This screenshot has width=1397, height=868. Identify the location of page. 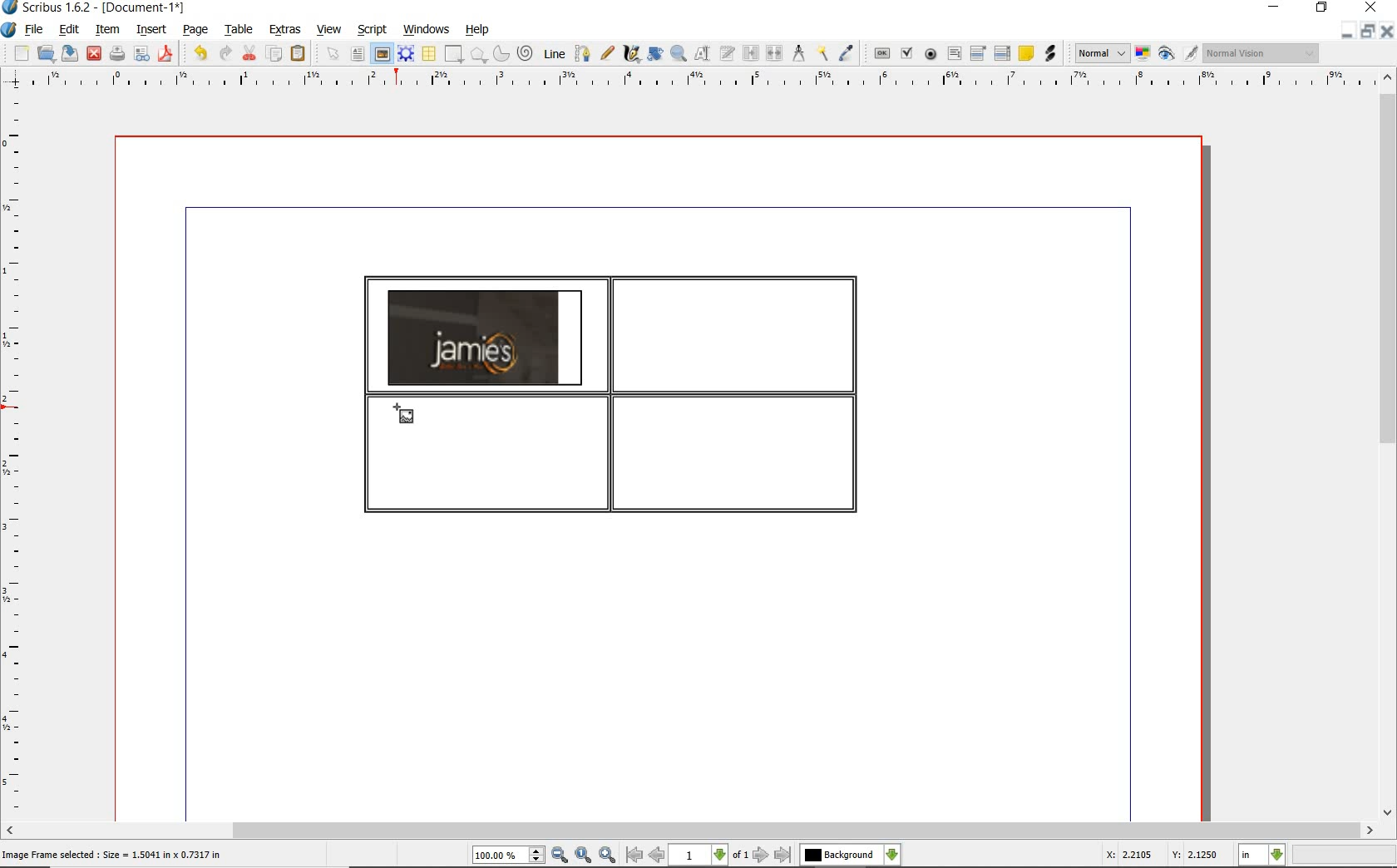
(195, 31).